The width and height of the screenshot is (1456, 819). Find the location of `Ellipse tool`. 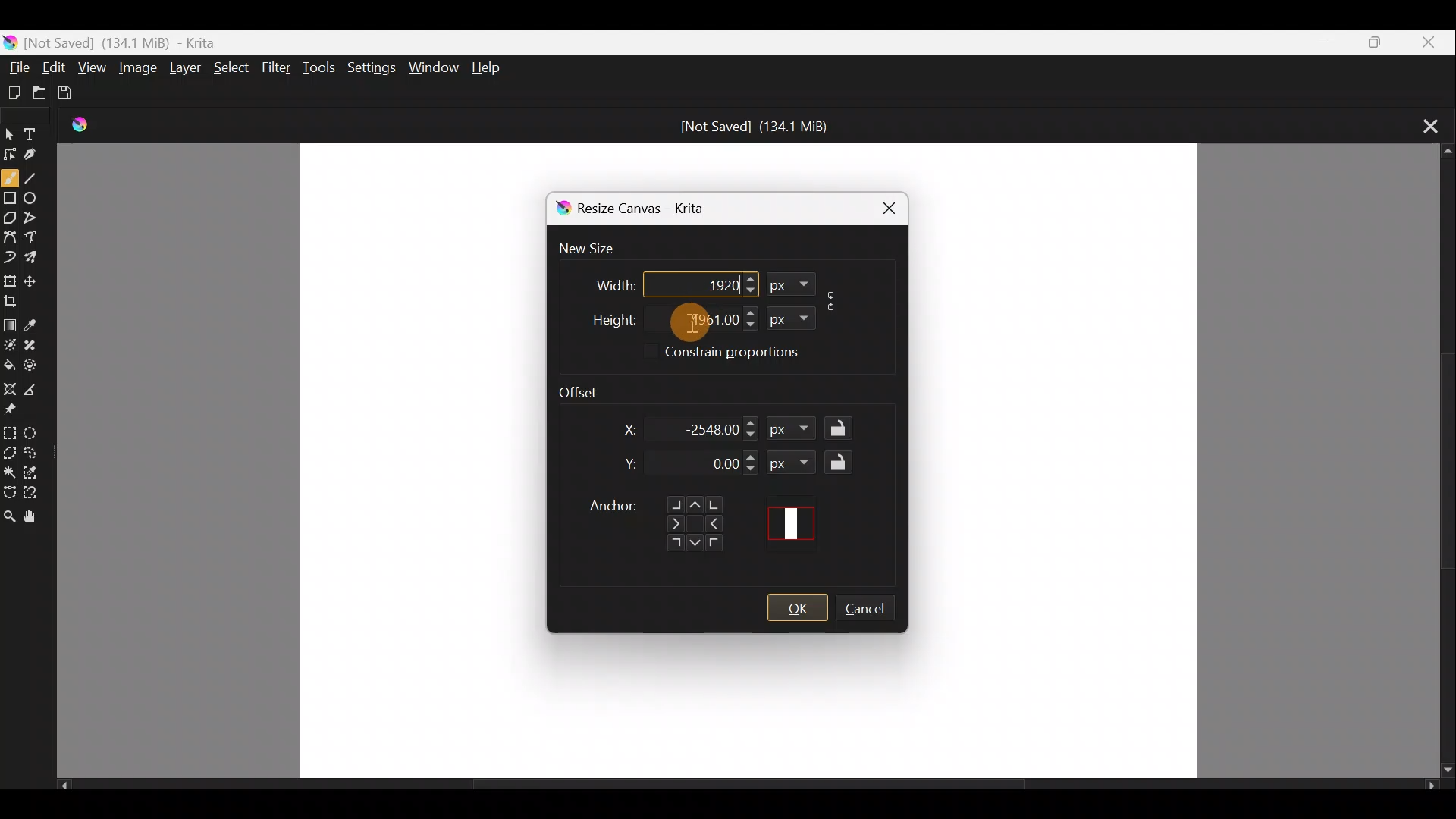

Ellipse tool is located at coordinates (35, 196).